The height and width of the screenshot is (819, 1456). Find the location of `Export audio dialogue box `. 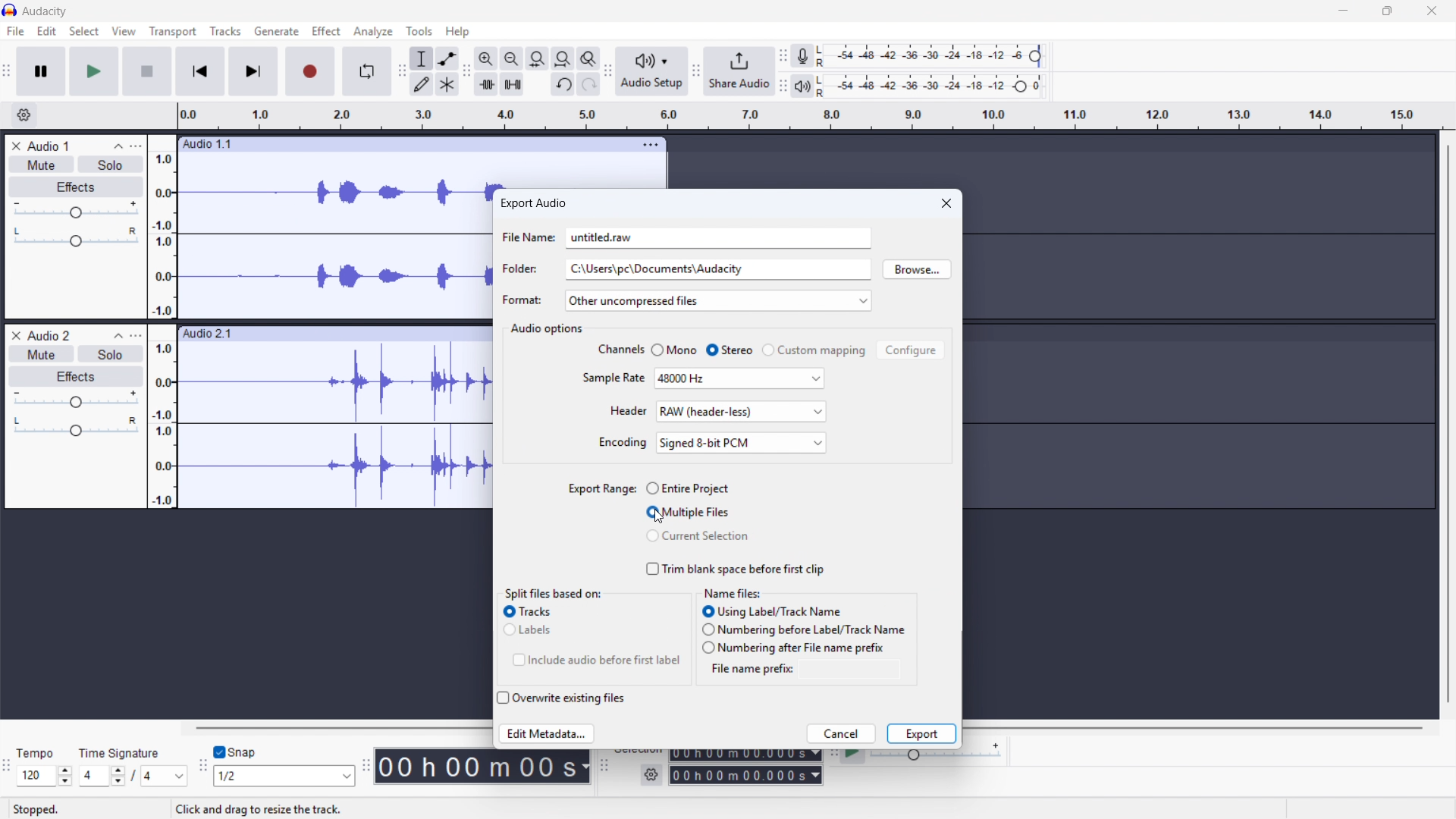

Export audio dialogue box  is located at coordinates (533, 203).